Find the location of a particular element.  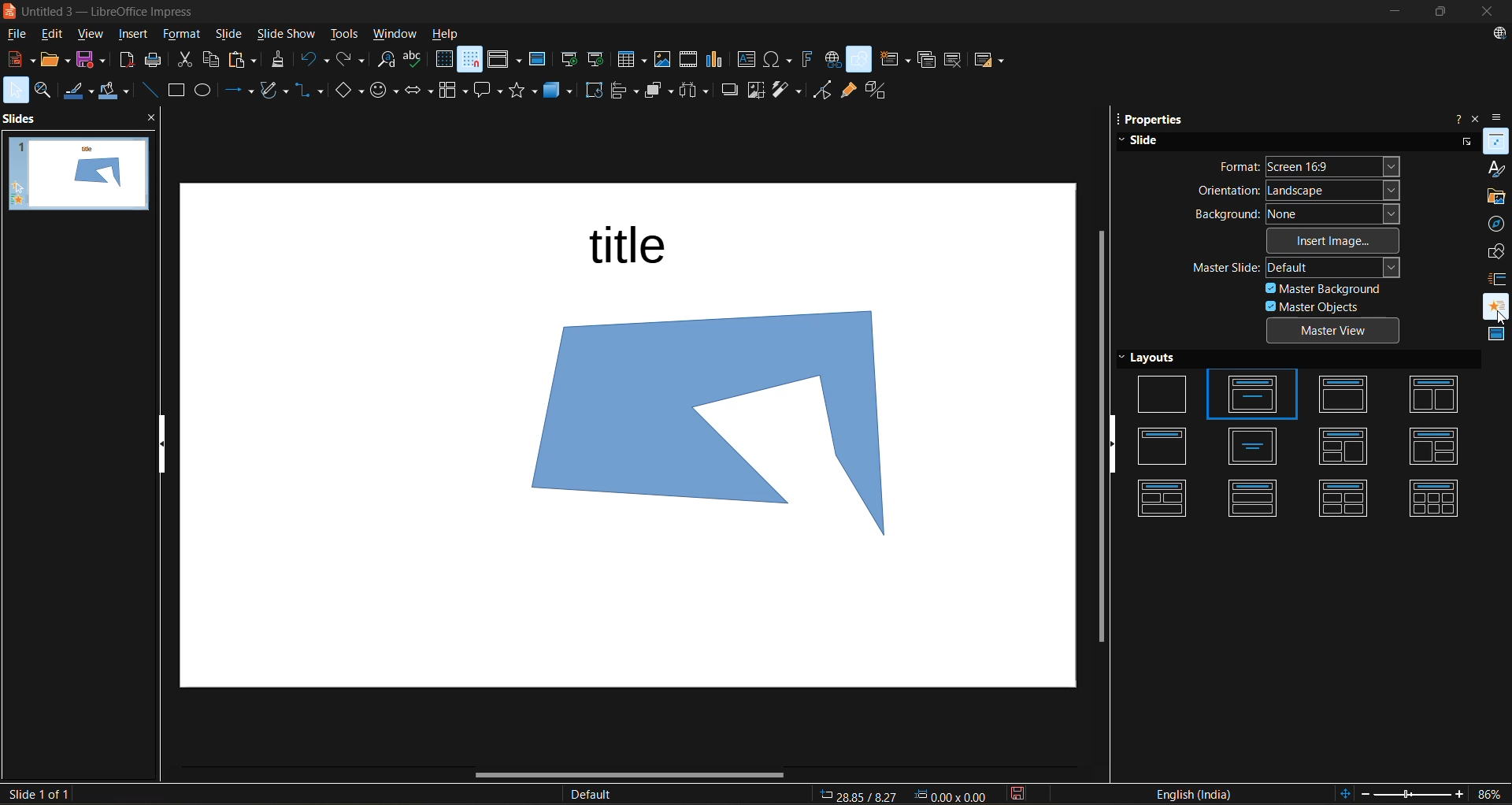

navigator is located at coordinates (1499, 224).